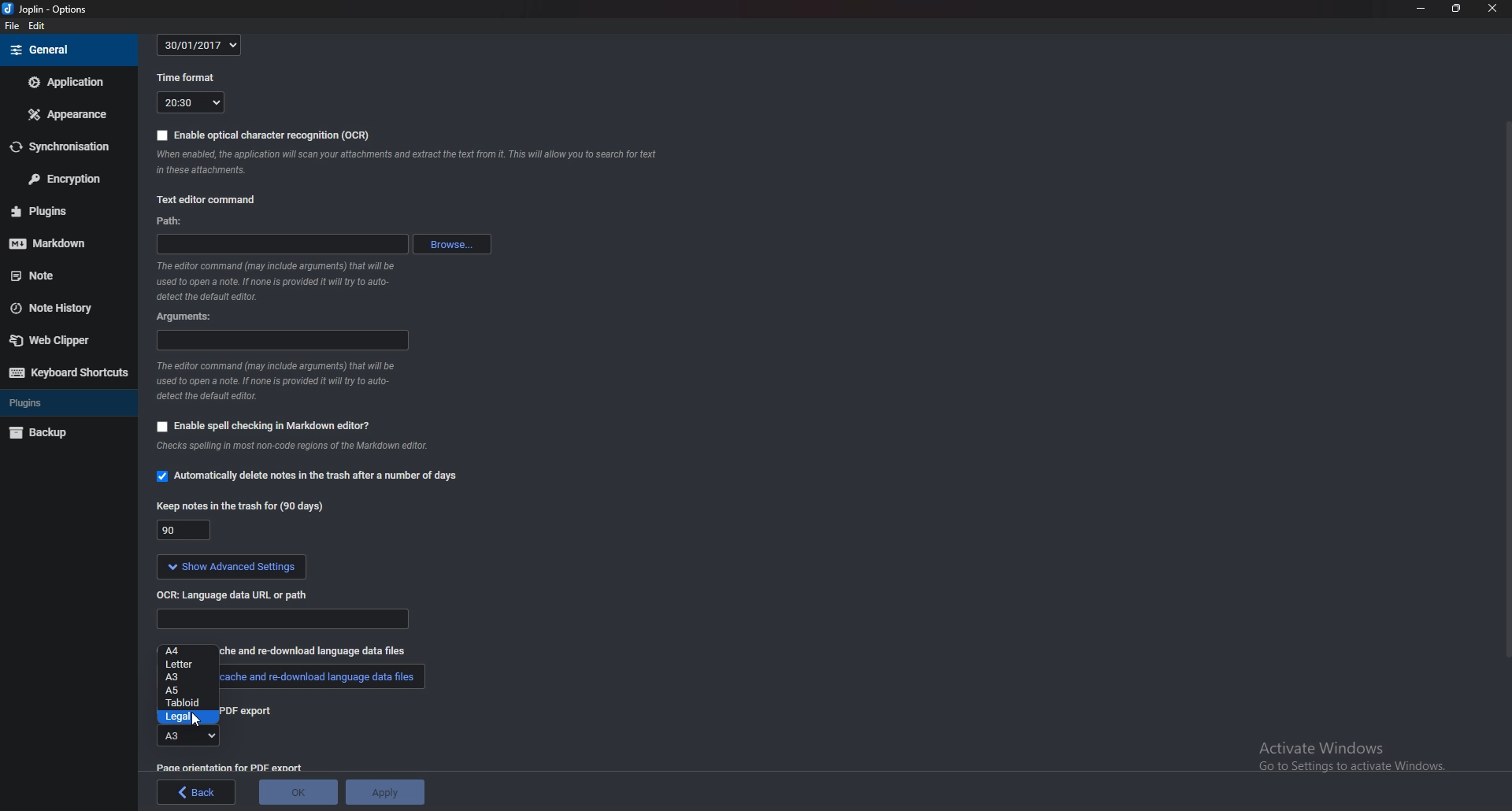  What do you see at coordinates (187, 677) in the screenshot?
I see `A3` at bounding box center [187, 677].